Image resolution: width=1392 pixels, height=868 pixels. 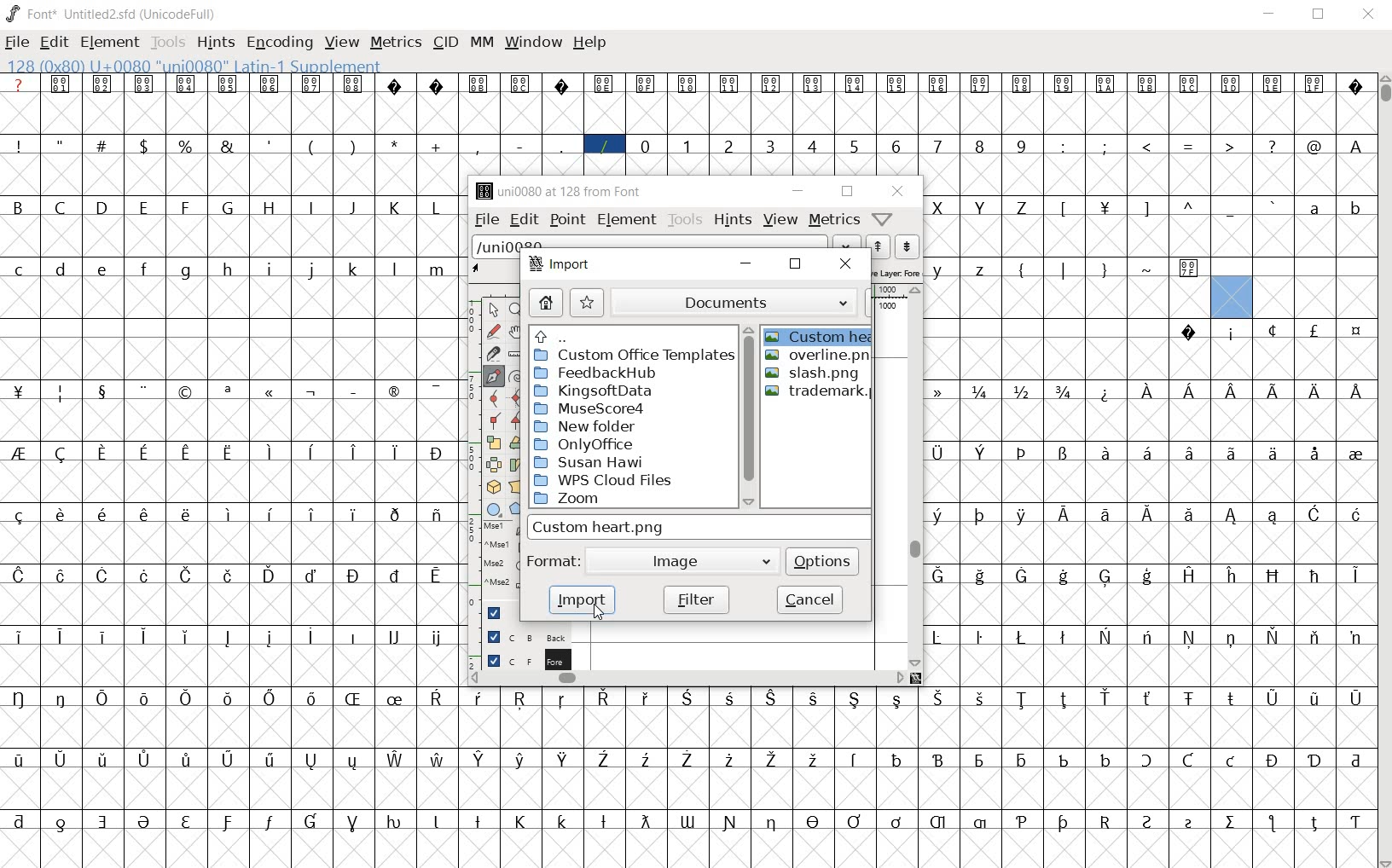 I want to click on glyph, so click(x=1356, y=823).